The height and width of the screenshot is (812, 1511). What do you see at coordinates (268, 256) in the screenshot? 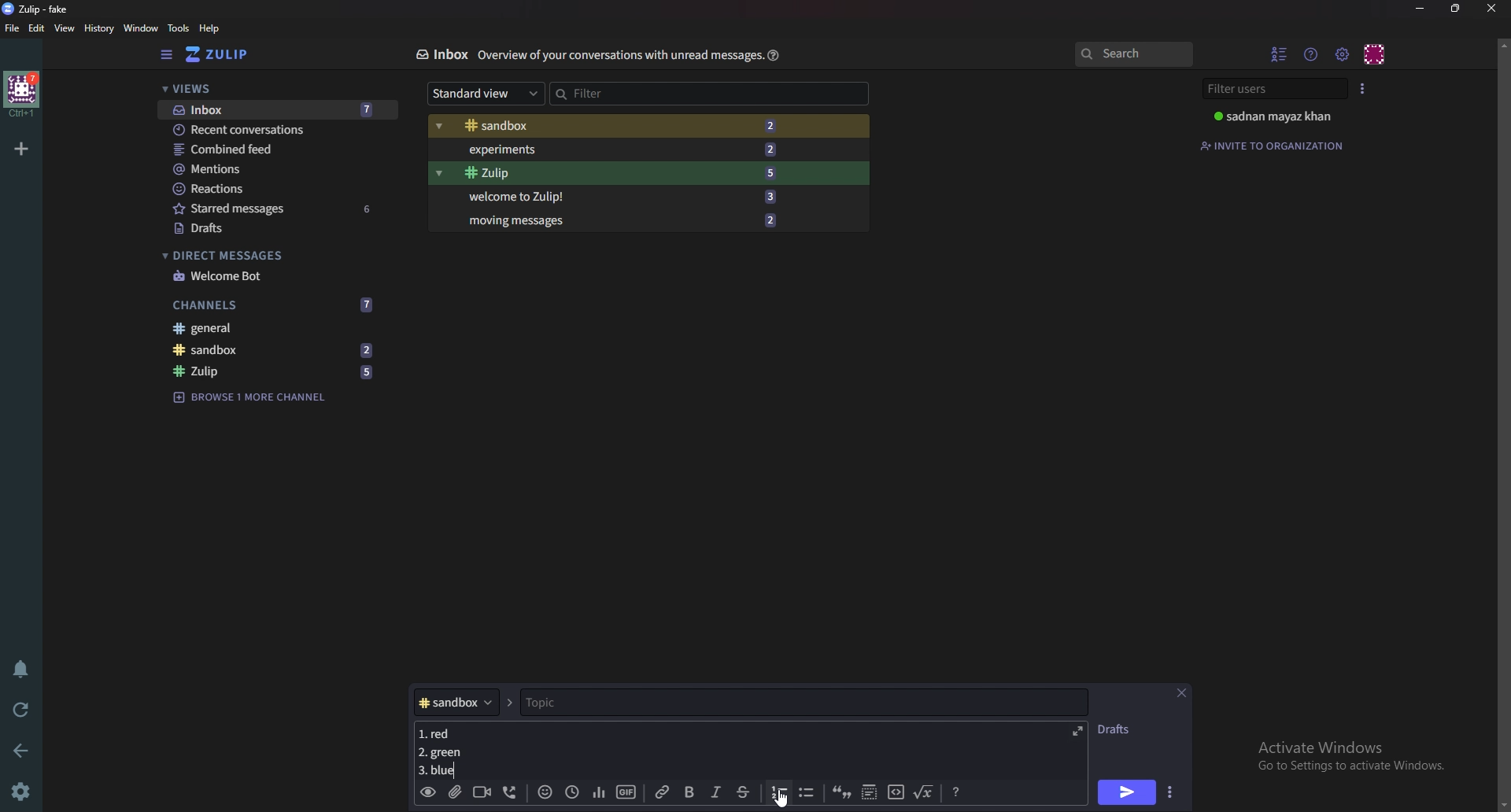
I see `Direct messages` at bounding box center [268, 256].